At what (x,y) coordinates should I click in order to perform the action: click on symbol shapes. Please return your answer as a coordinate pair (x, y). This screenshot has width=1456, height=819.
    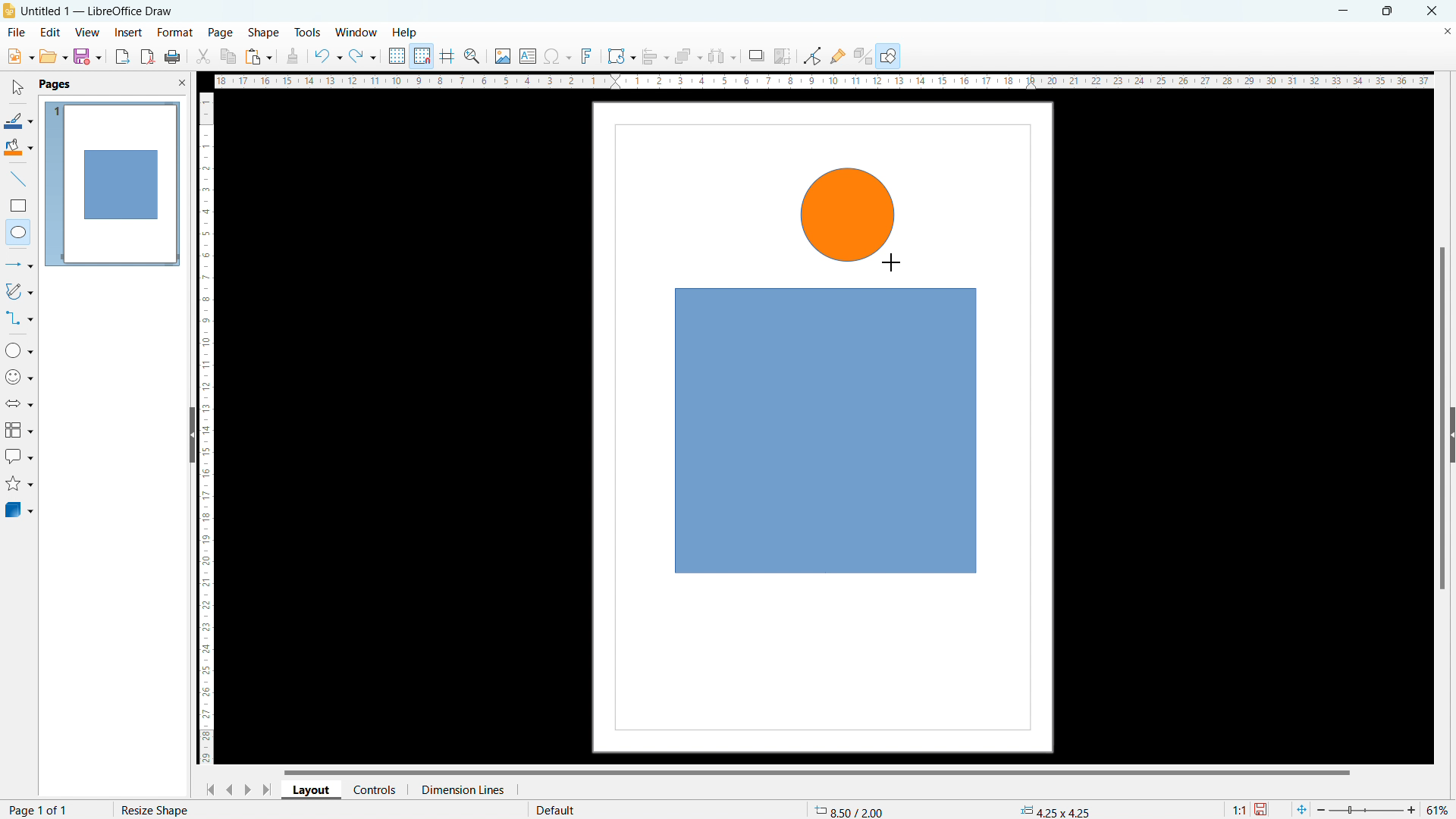
    Looking at the image, I should click on (20, 377).